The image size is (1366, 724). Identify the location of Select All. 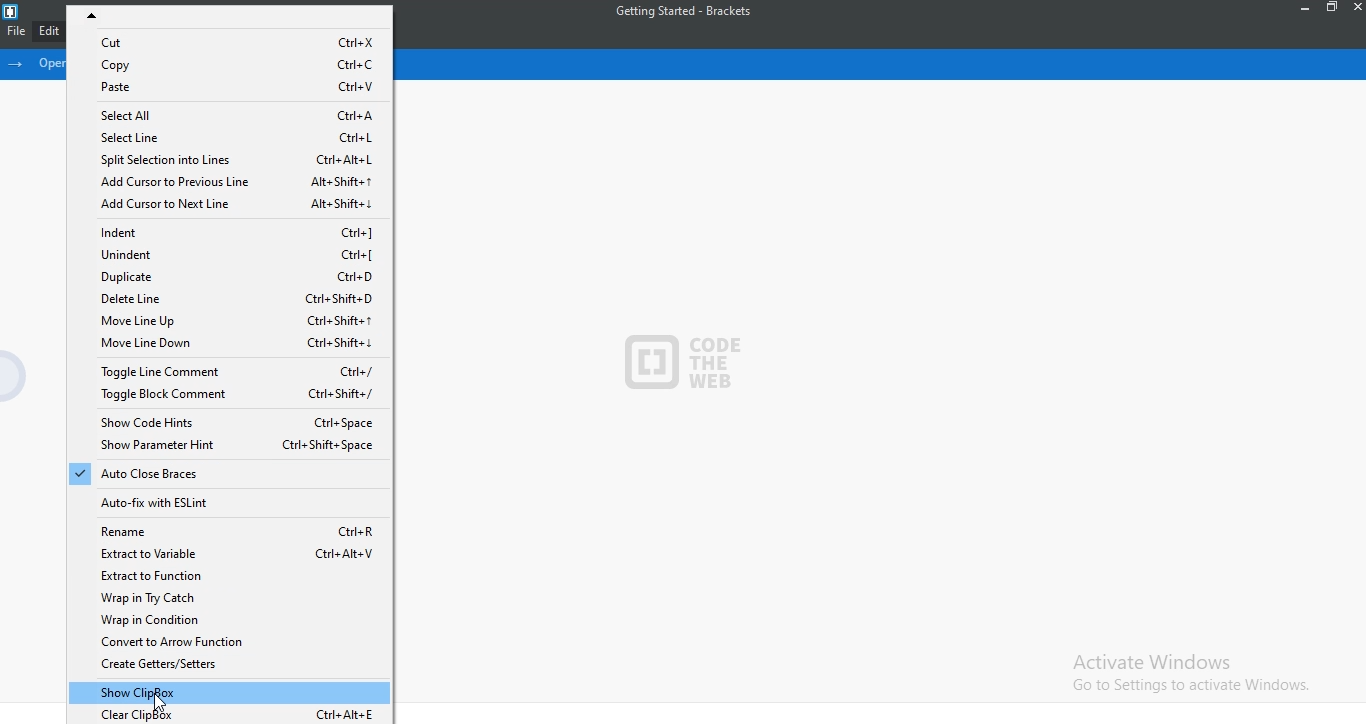
(229, 113).